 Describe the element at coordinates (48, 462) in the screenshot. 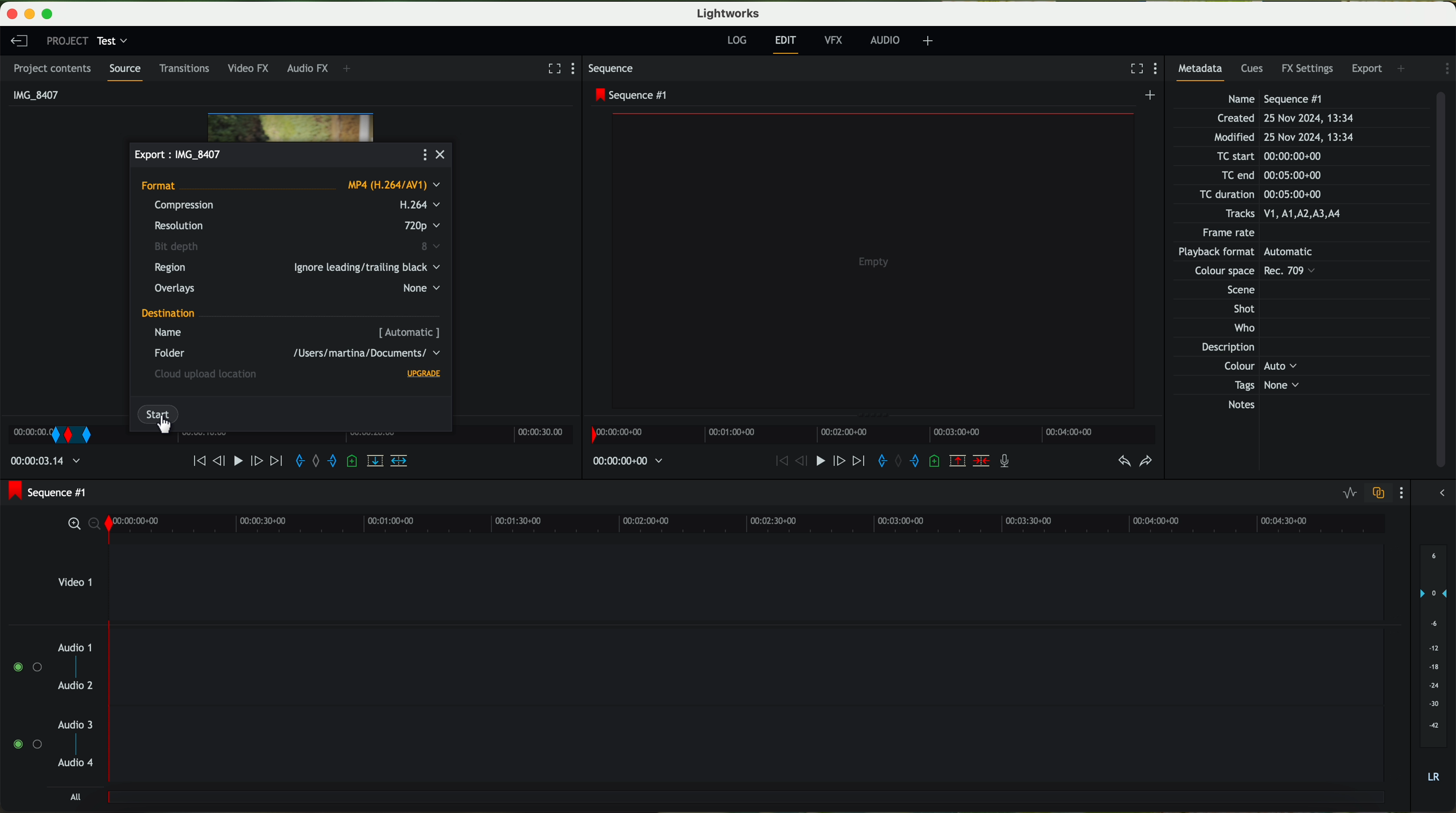

I see `time` at that location.